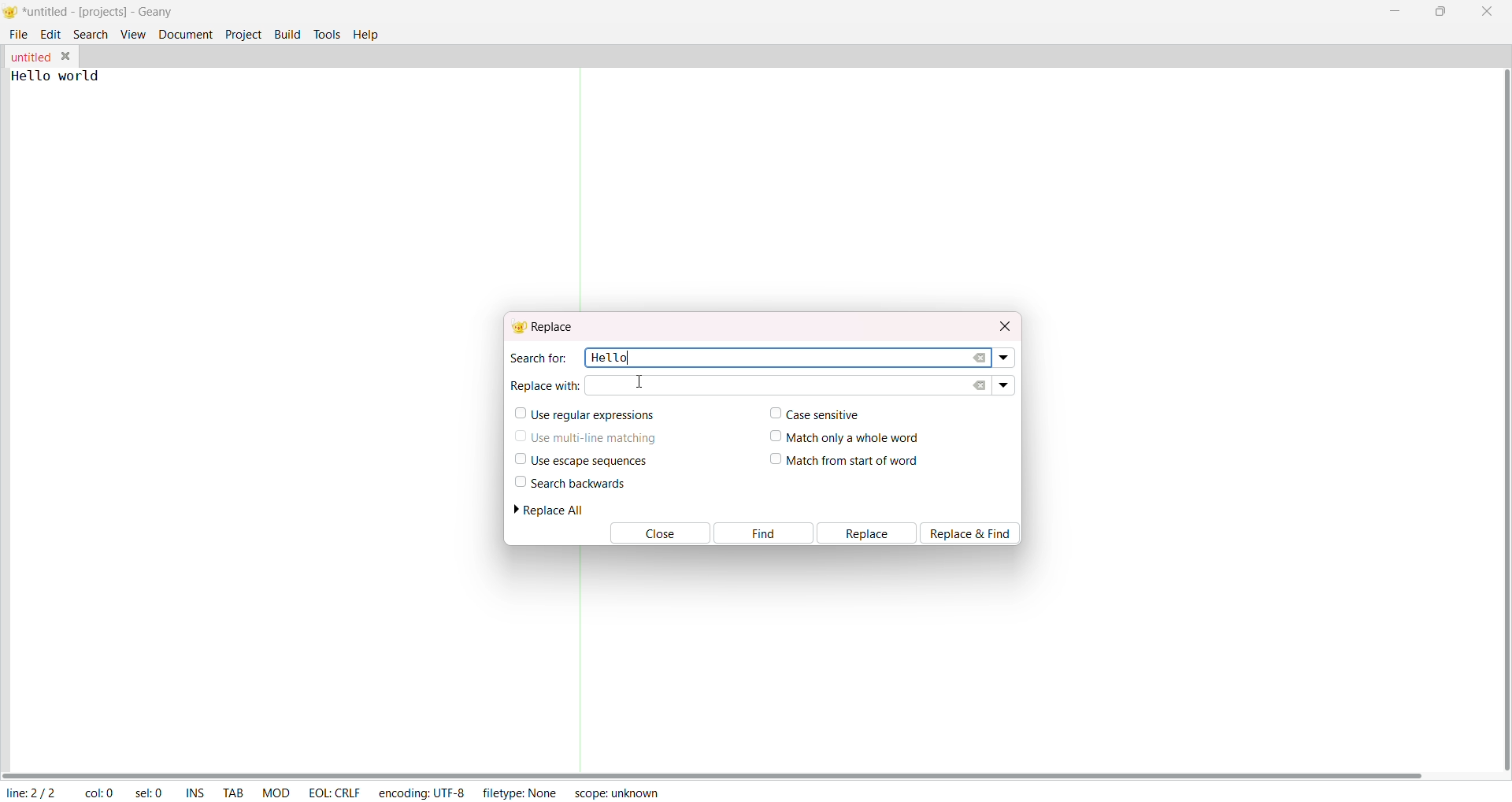  I want to click on search for, so click(537, 358).